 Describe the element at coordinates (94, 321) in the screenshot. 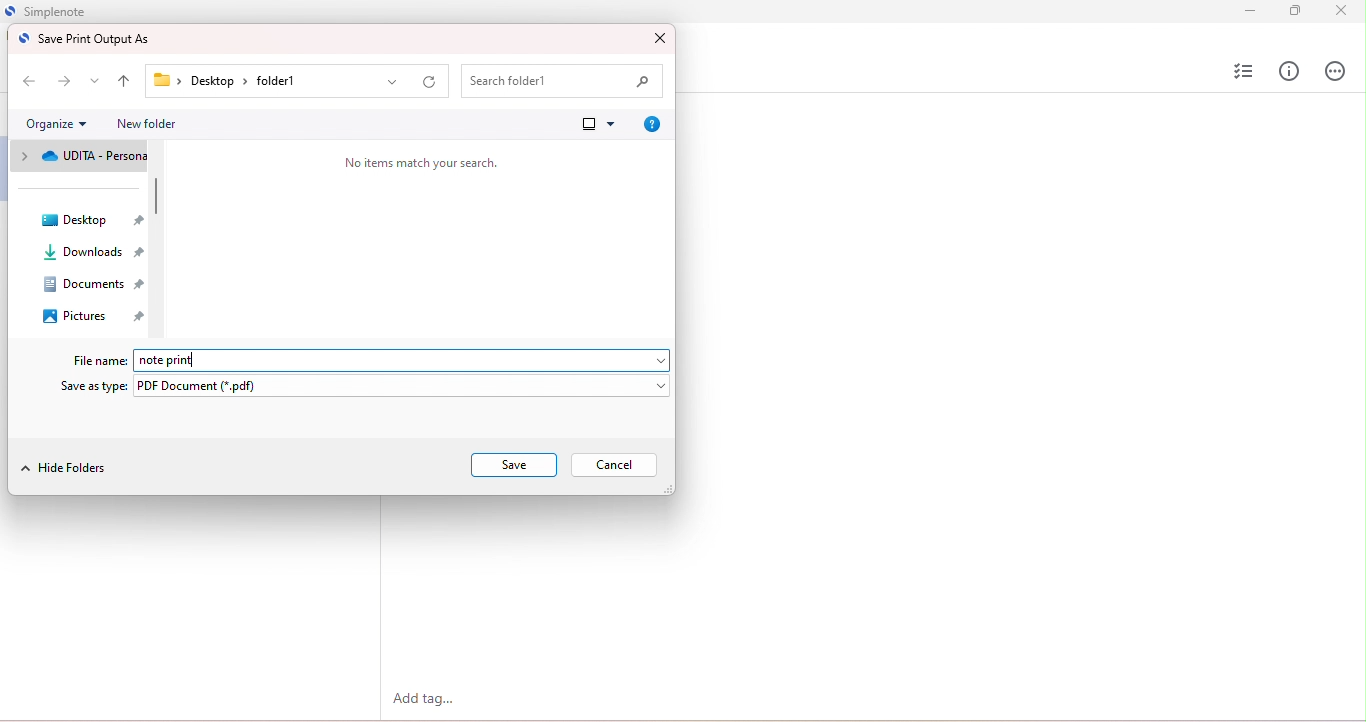

I see `desktop` at that location.